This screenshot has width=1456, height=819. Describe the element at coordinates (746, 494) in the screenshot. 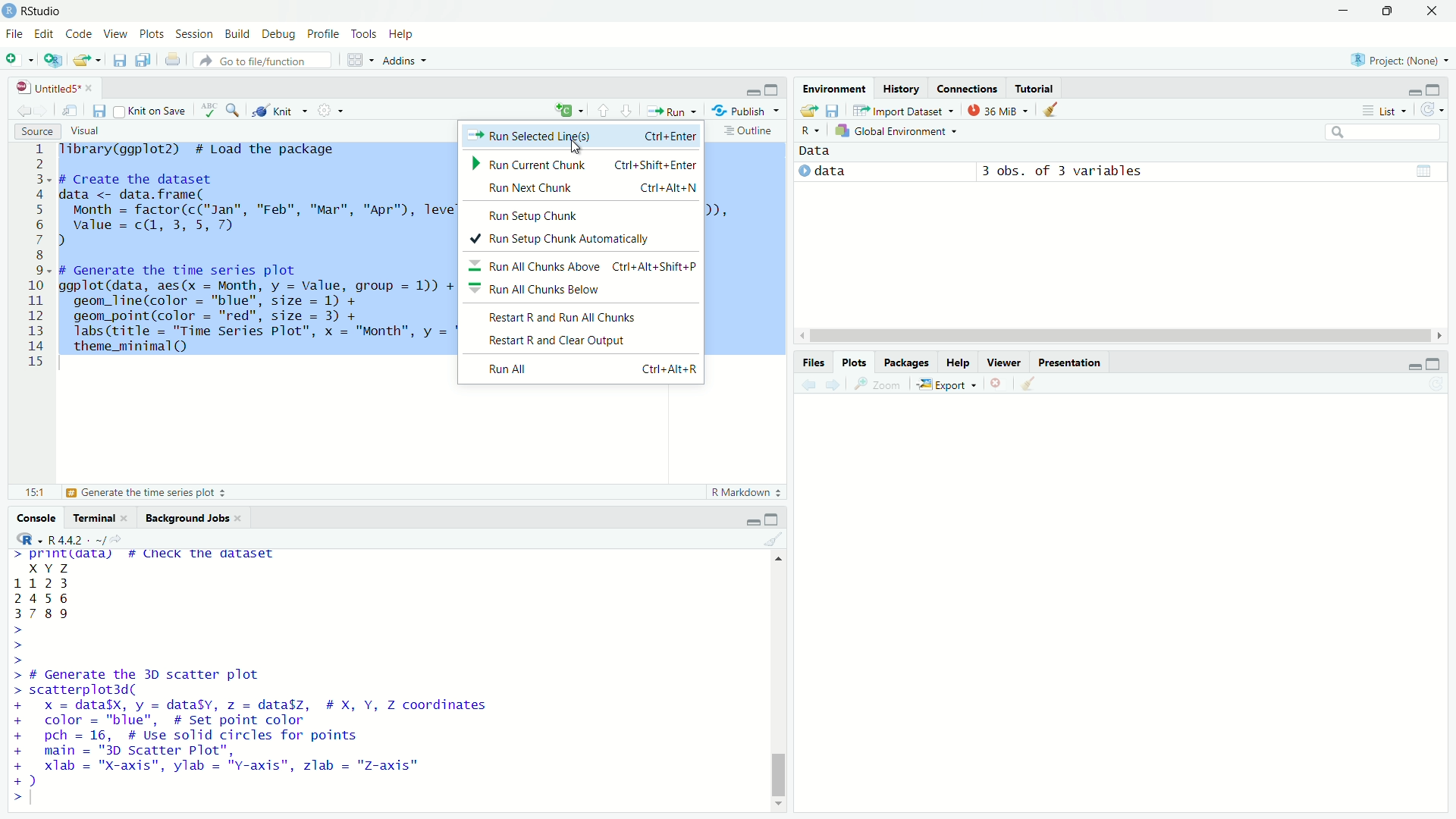

I see `R Markdown` at that location.